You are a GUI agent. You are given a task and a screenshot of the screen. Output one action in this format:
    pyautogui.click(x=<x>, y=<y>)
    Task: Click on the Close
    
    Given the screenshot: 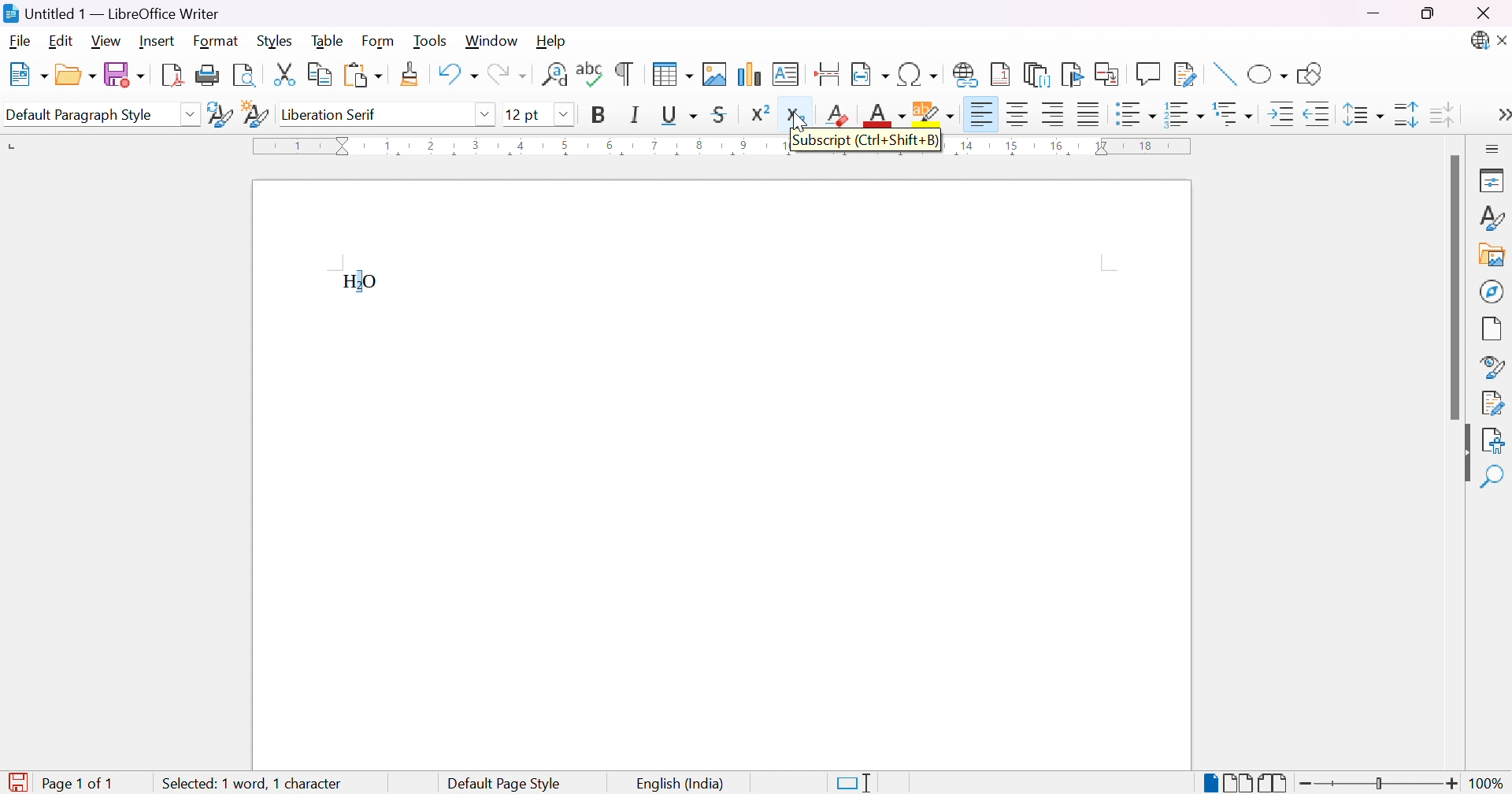 What is the action you would take?
    pyautogui.click(x=1503, y=42)
    